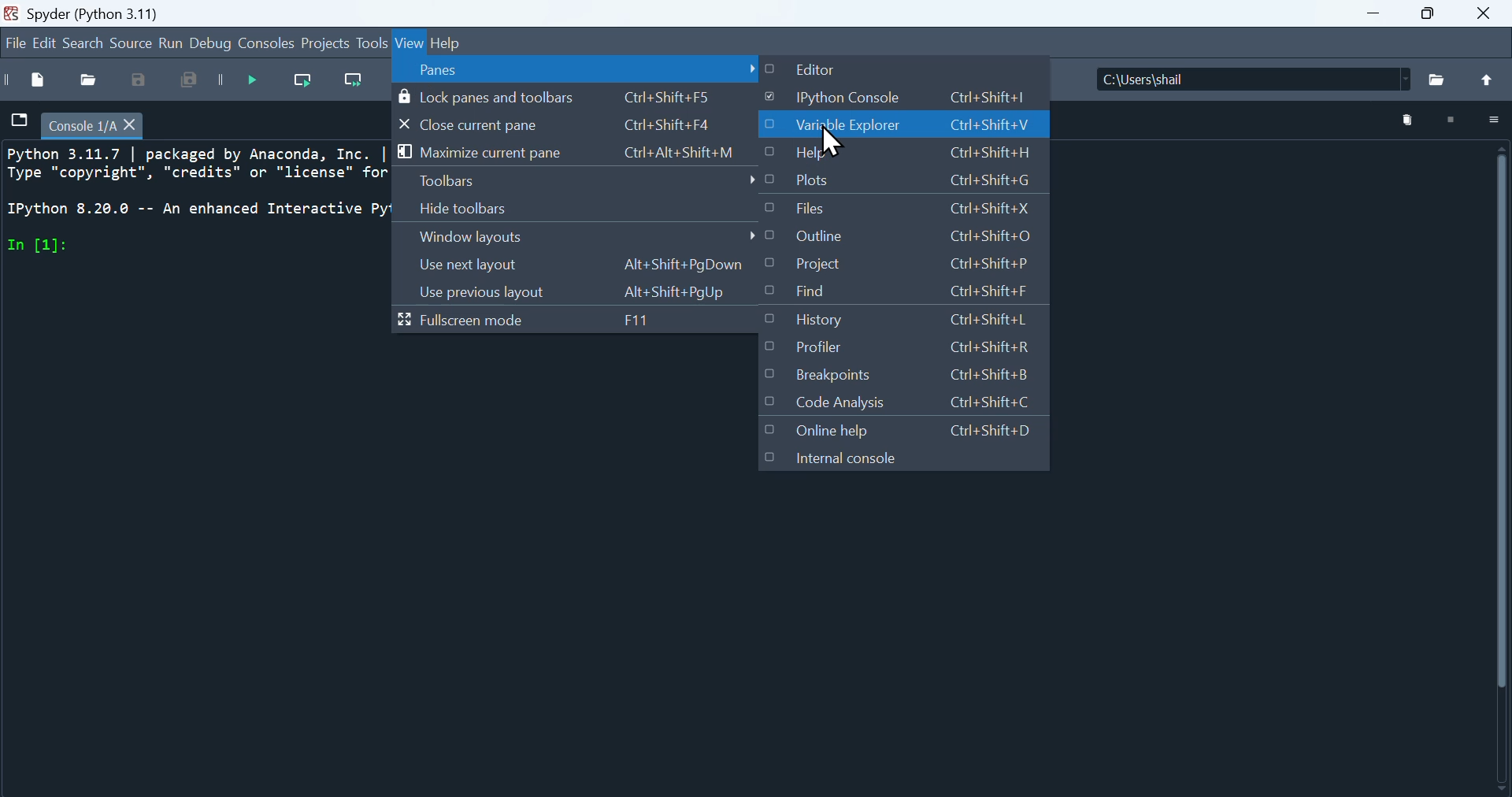 Image resolution: width=1512 pixels, height=797 pixels. I want to click on Save as, so click(136, 80).